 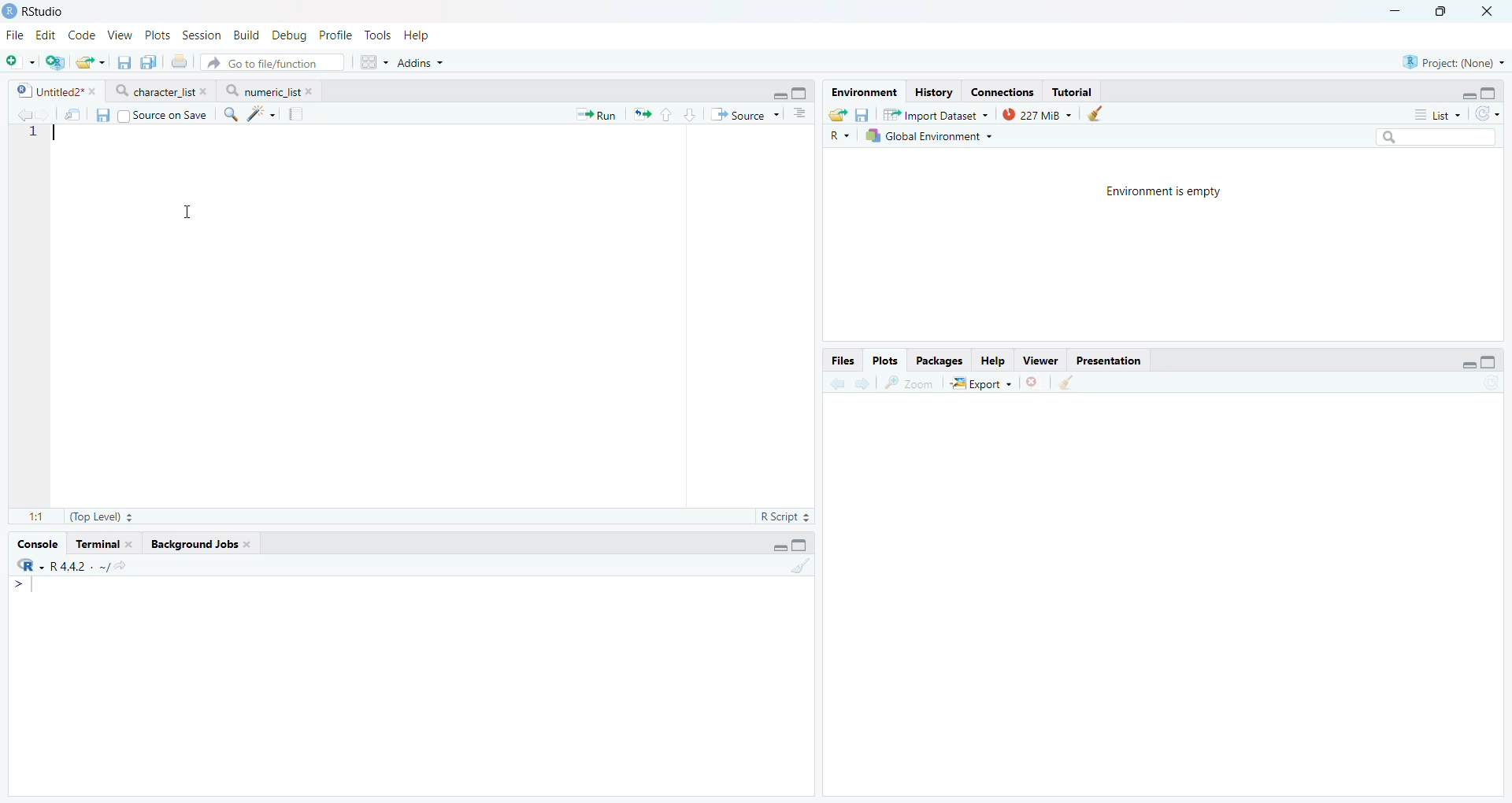 What do you see at coordinates (1490, 91) in the screenshot?
I see `Full Height` at bounding box center [1490, 91].